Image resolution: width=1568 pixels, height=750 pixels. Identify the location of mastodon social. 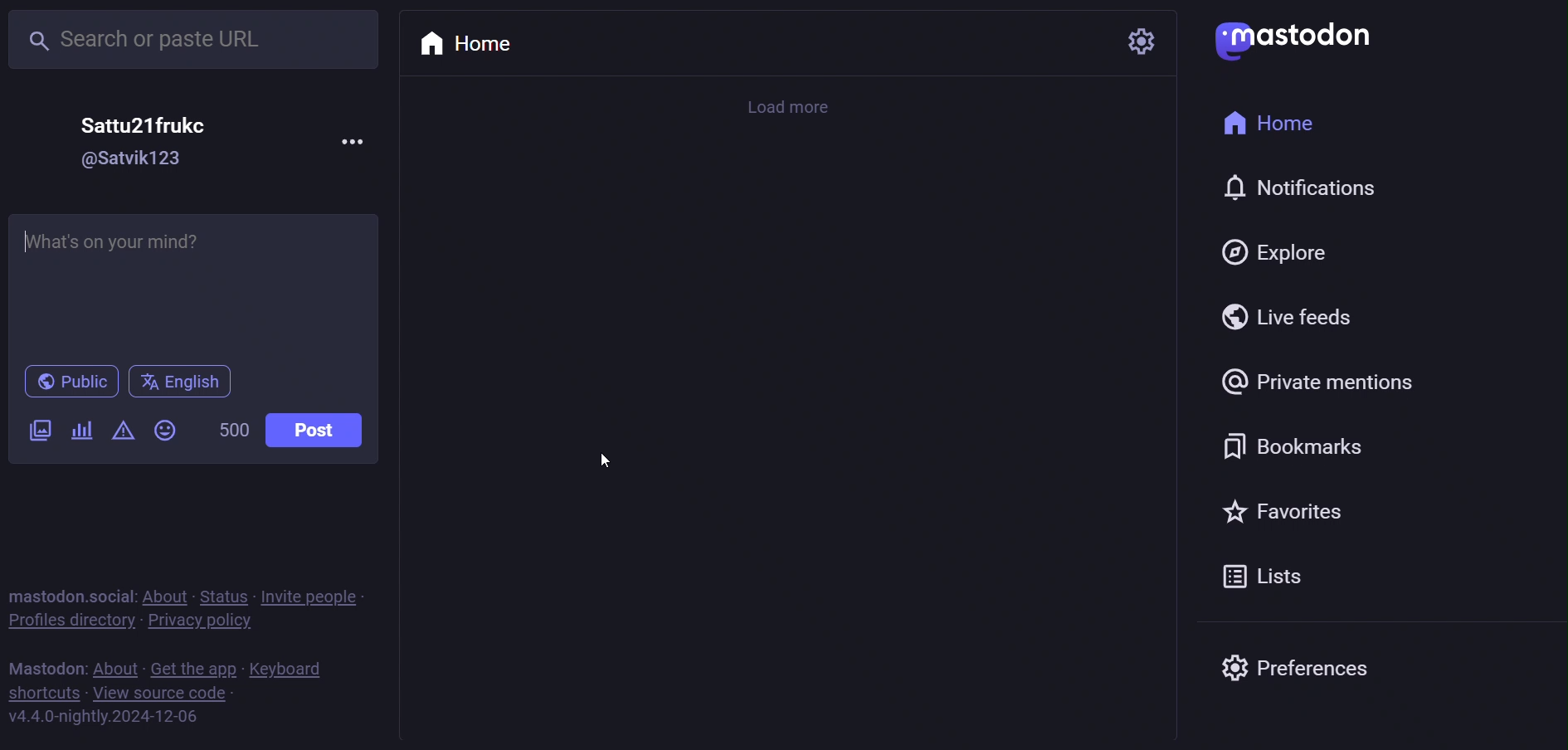
(67, 594).